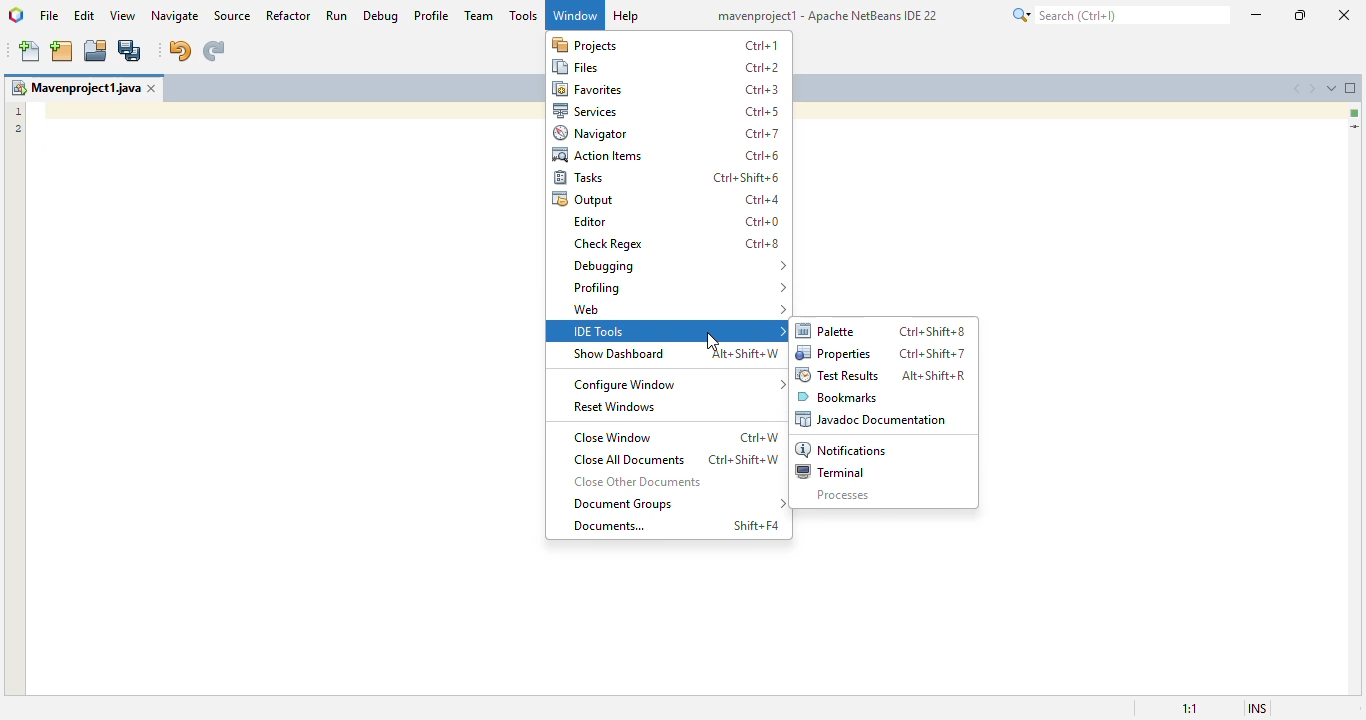 The image size is (1366, 720). What do you see at coordinates (524, 15) in the screenshot?
I see `tools` at bounding box center [524, 15].